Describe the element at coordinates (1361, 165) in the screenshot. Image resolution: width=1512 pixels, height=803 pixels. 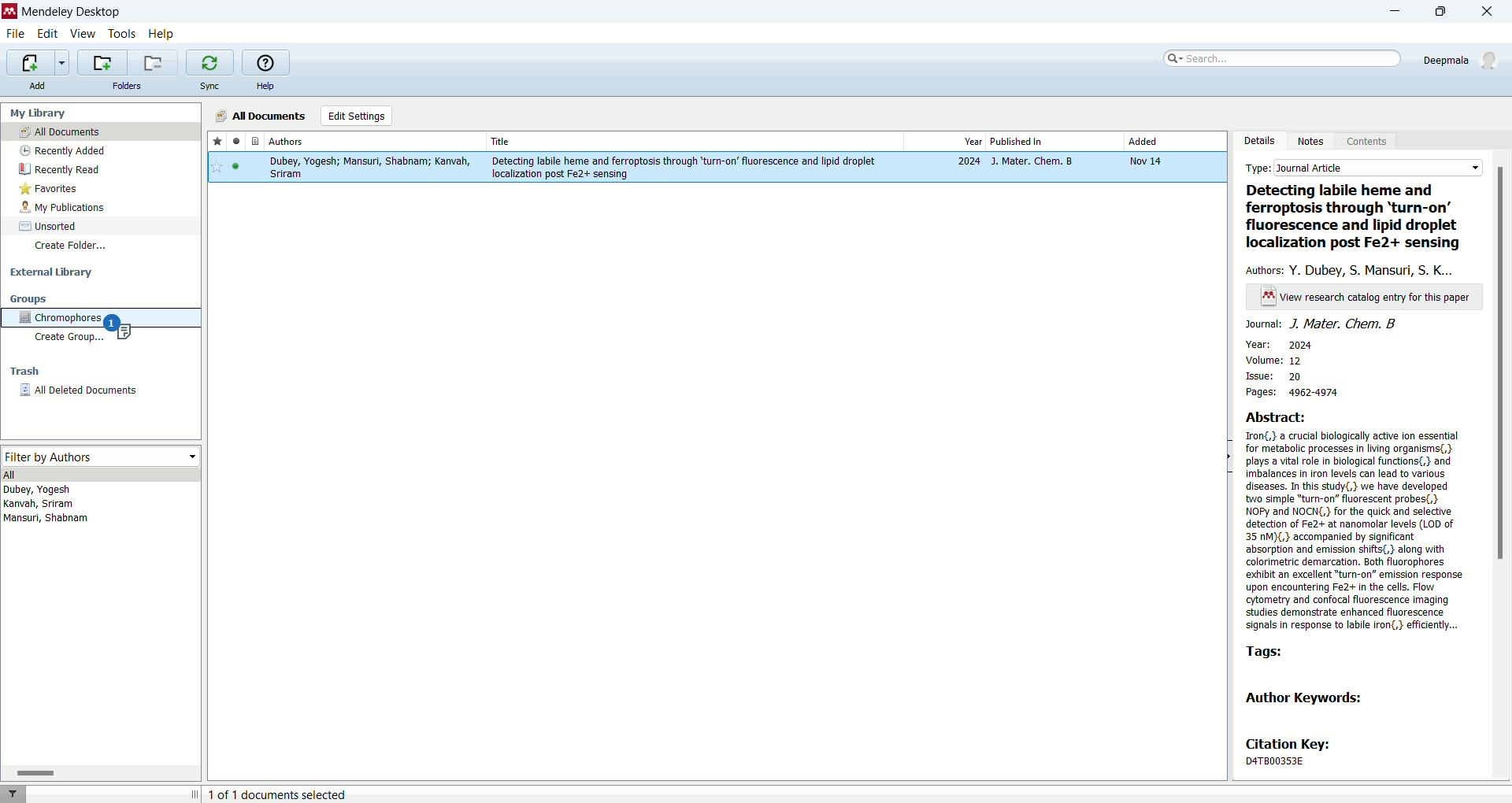
I see `type` at that location.